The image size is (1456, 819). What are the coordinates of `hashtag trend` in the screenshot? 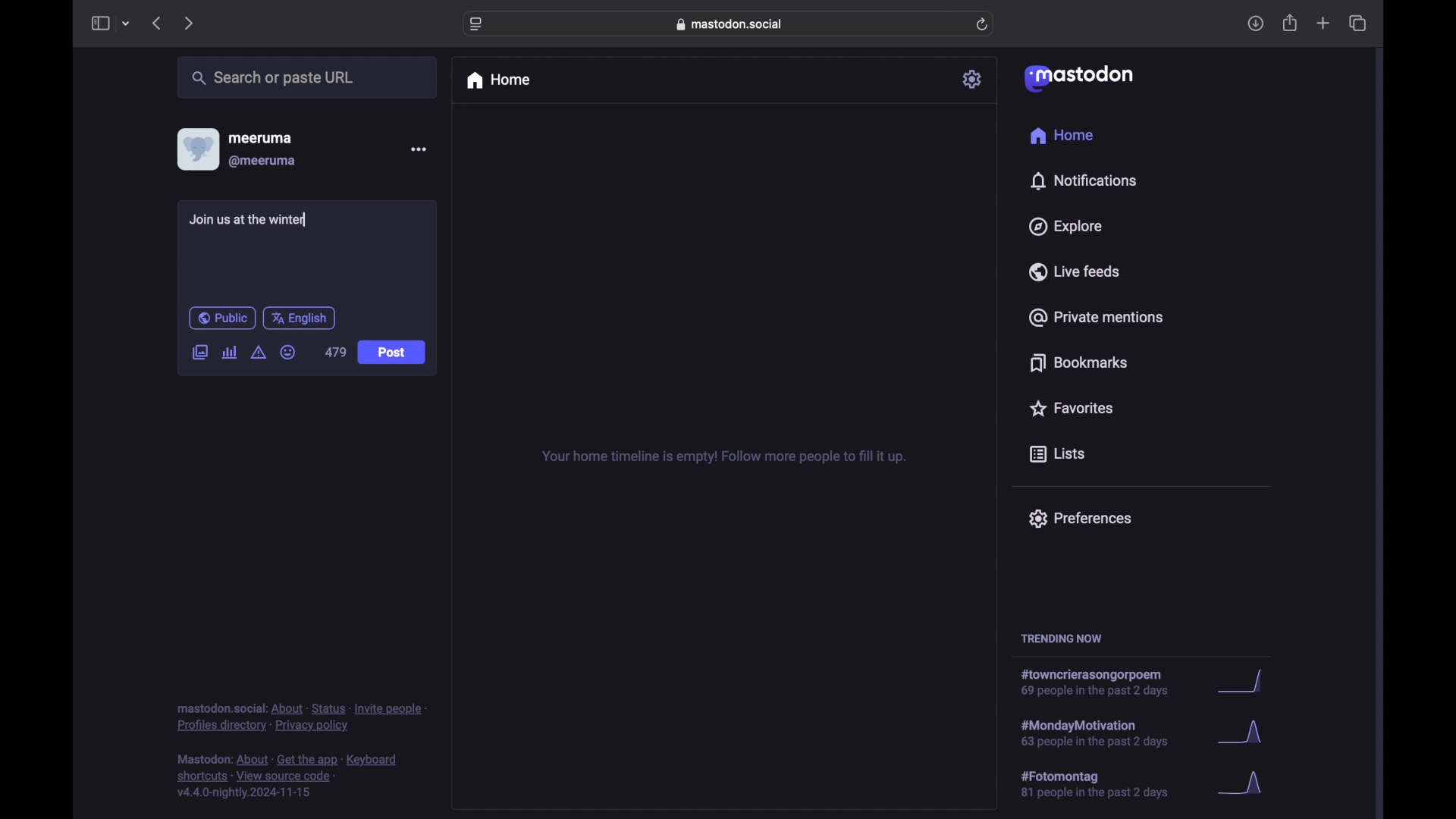 It's located at (1105, 732).